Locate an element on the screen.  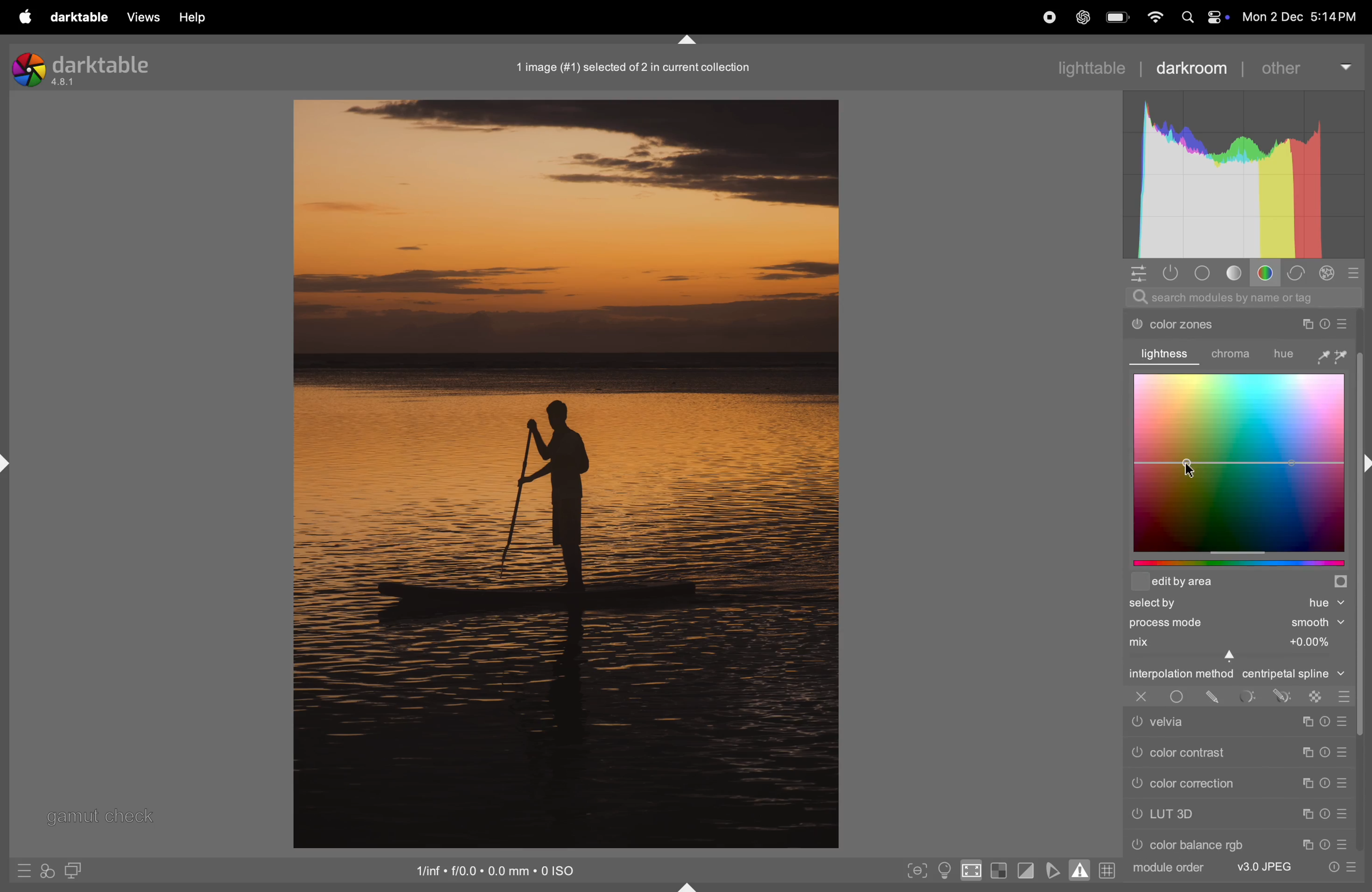
 is located at coordinates (1234, 272).